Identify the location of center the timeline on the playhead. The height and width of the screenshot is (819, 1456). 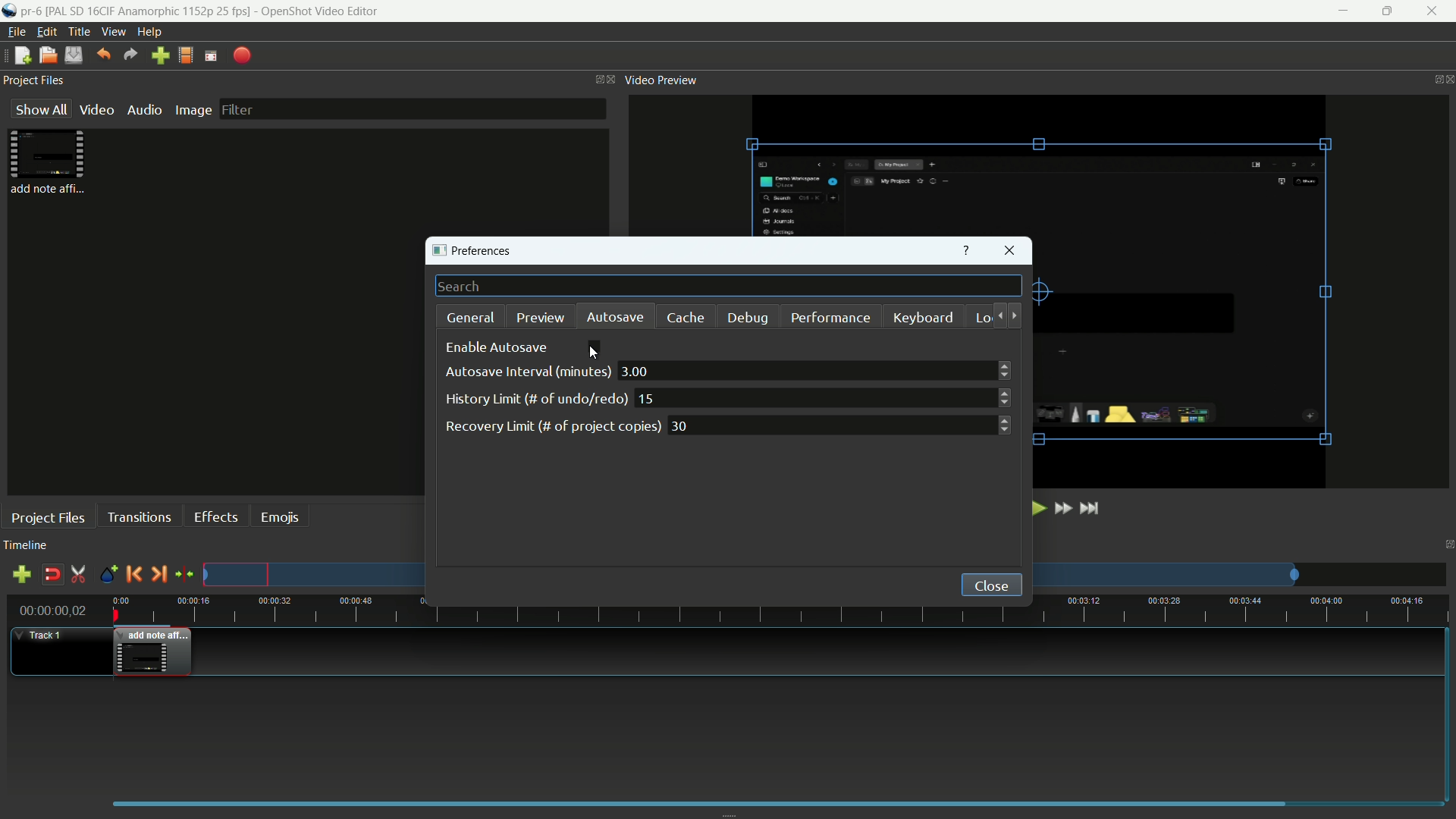
(184, 573).